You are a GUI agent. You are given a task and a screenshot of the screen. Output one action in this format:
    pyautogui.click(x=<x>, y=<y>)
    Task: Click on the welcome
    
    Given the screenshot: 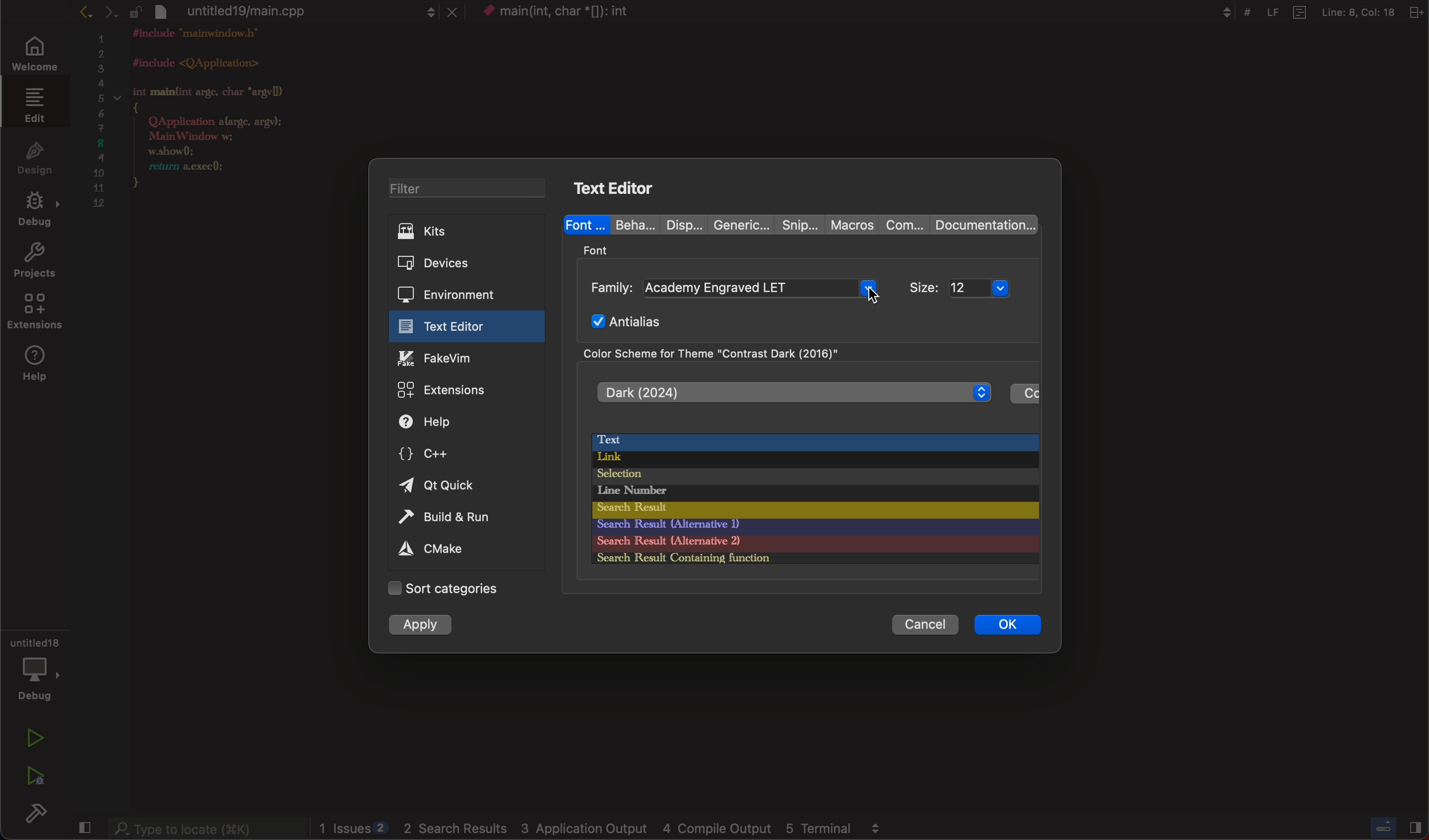 What is the action you would take?
    pyautogui.click(x=37, y=56)
    